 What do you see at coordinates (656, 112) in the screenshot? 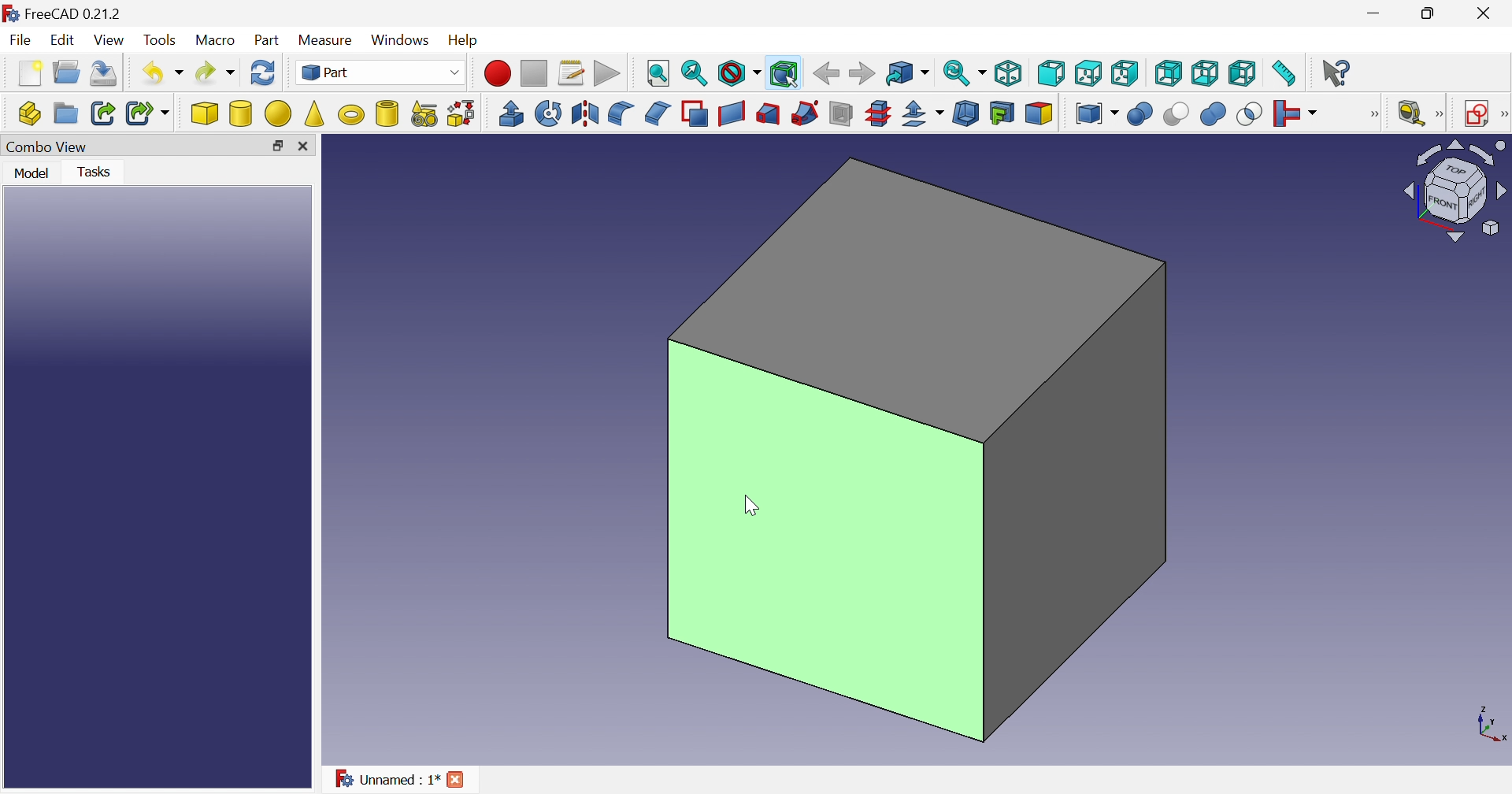
I see `Chamfer...` at bounding box center [656, 112].